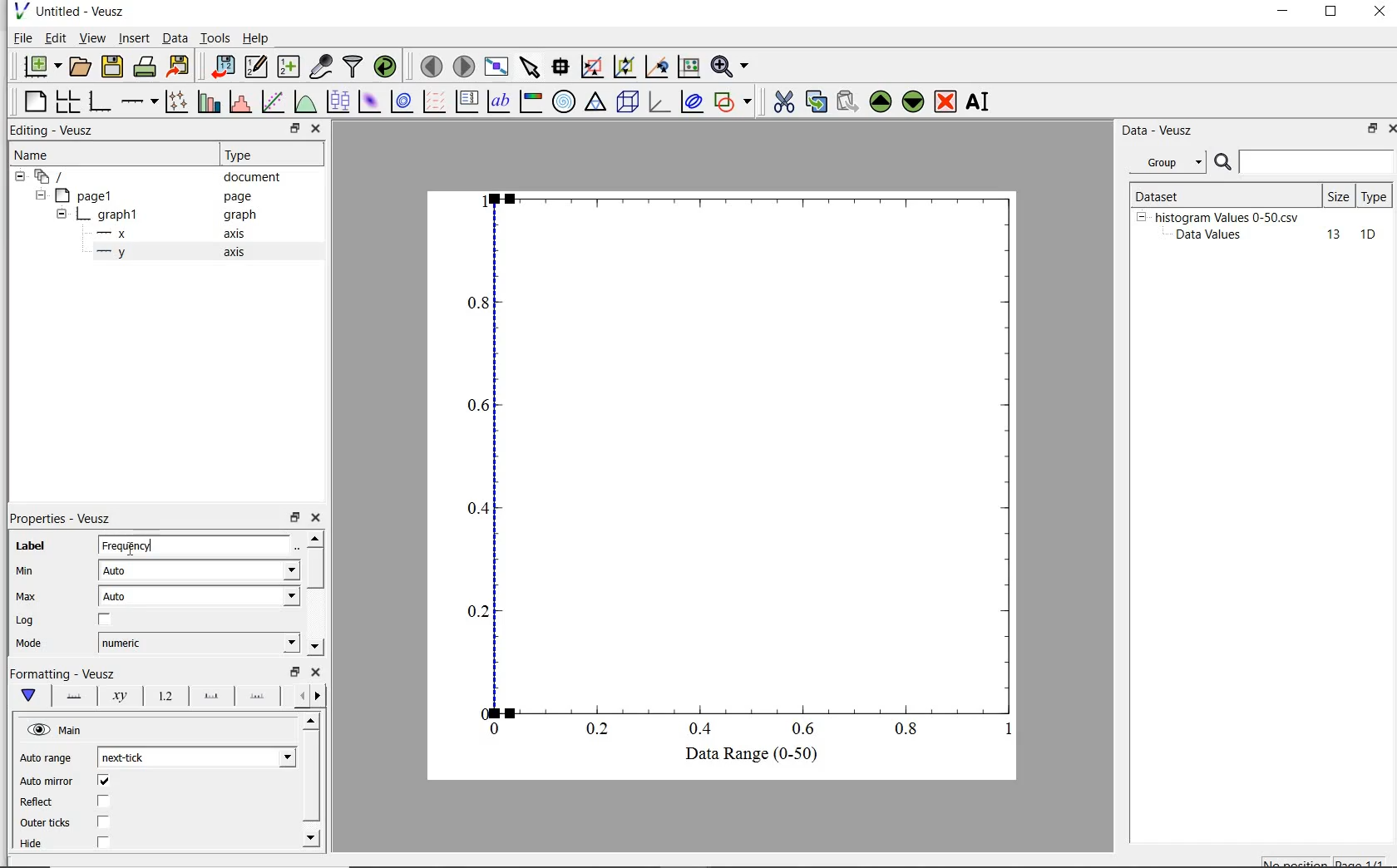 Image resolution: width=1397 pixels, height=868 pixels. I want to click on | Outer ticks, so click(47, 822).